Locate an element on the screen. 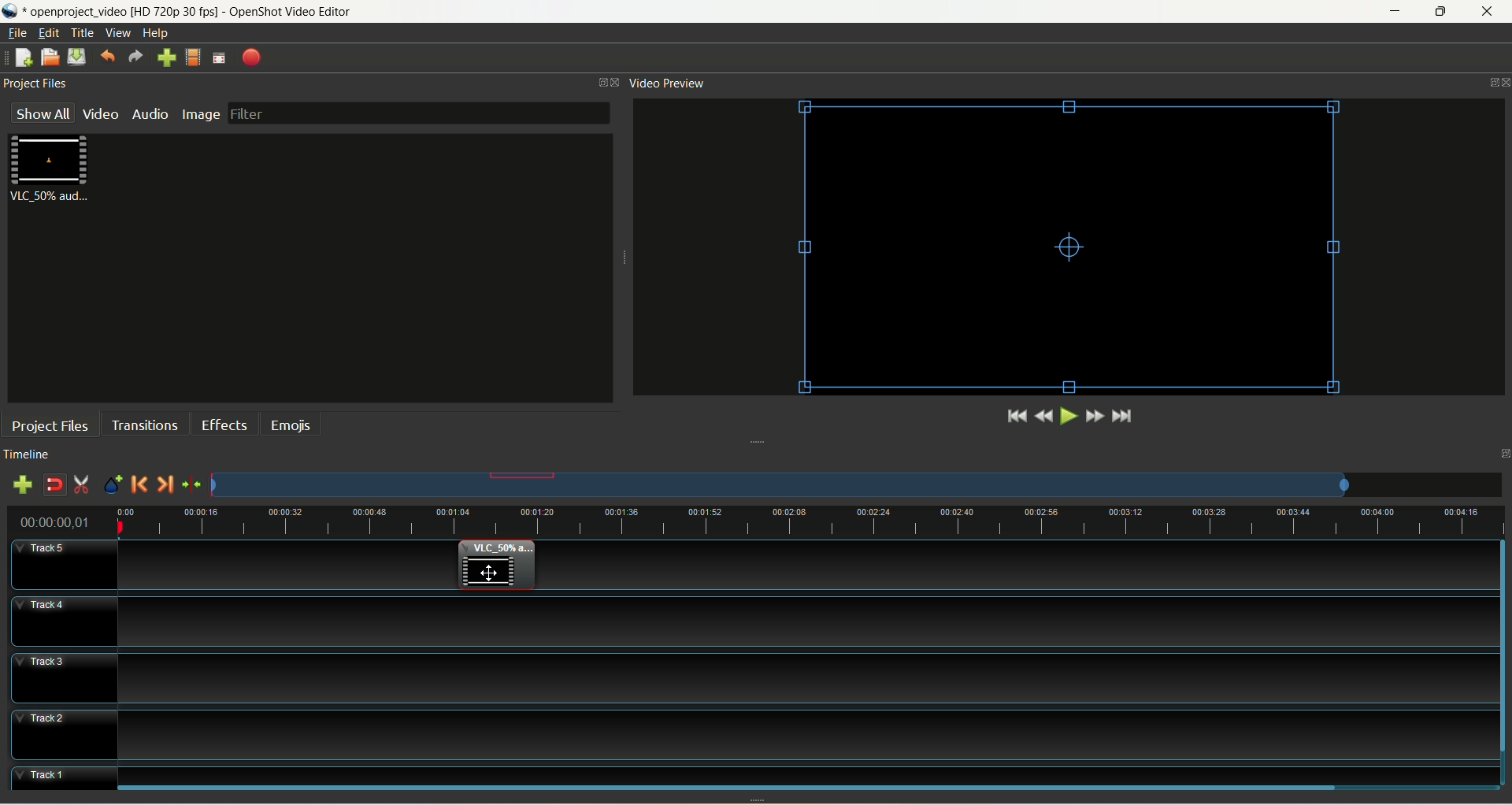  video preview is located at coordinates (669, 84).